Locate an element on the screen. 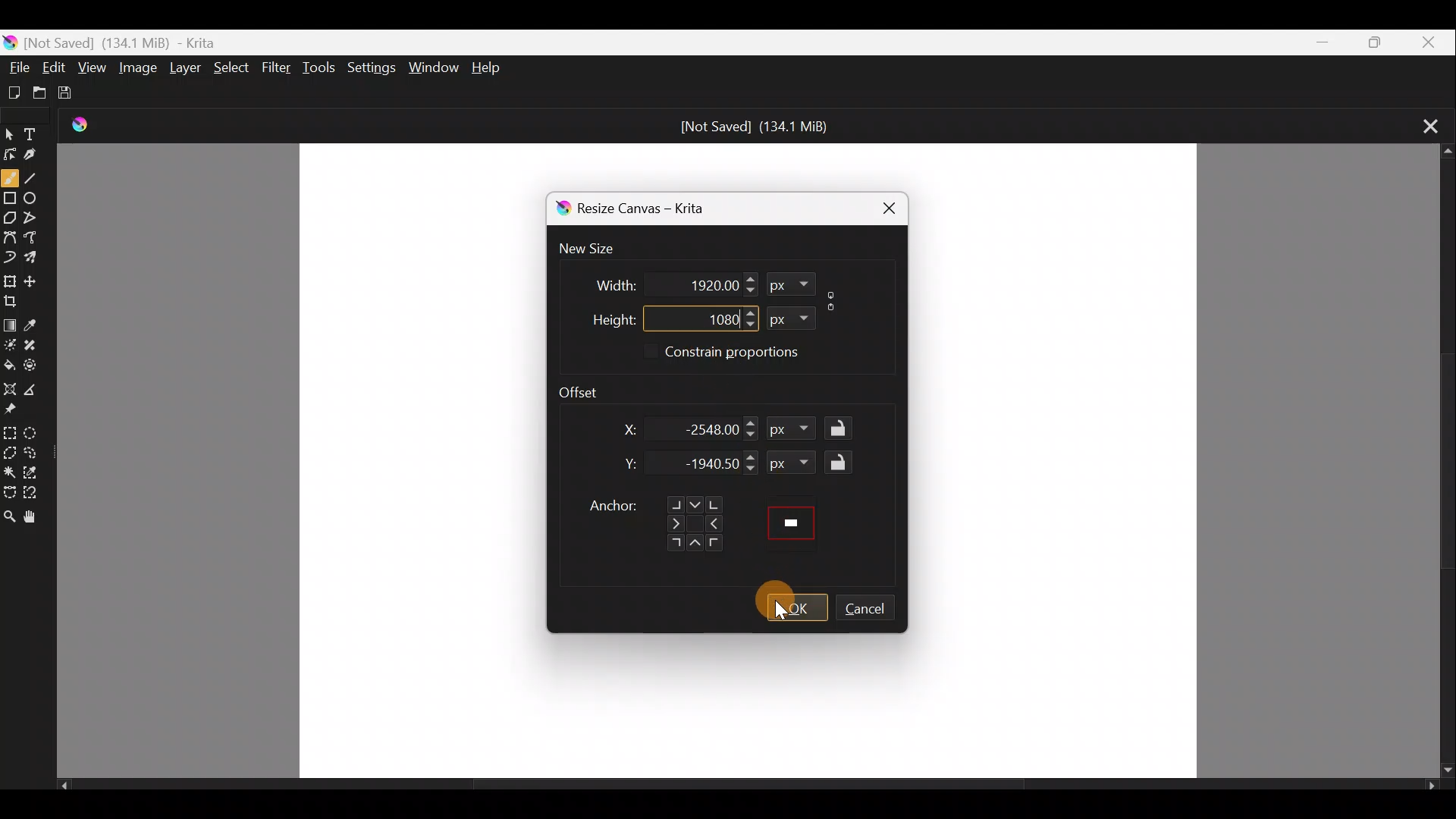 The image size is (1456, 819). Krita Logo is located at coordinates (11, 39).